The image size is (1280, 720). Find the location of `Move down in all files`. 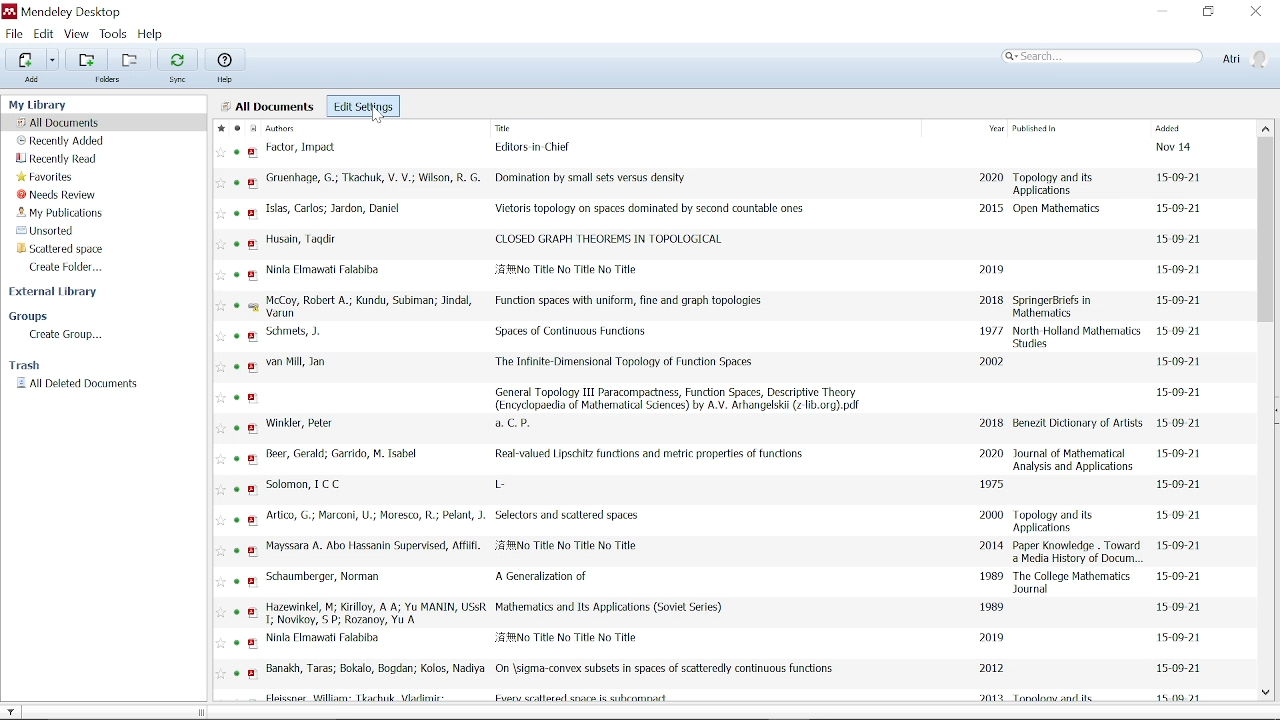

Move down in all files is located at coordinates (1266, 692).